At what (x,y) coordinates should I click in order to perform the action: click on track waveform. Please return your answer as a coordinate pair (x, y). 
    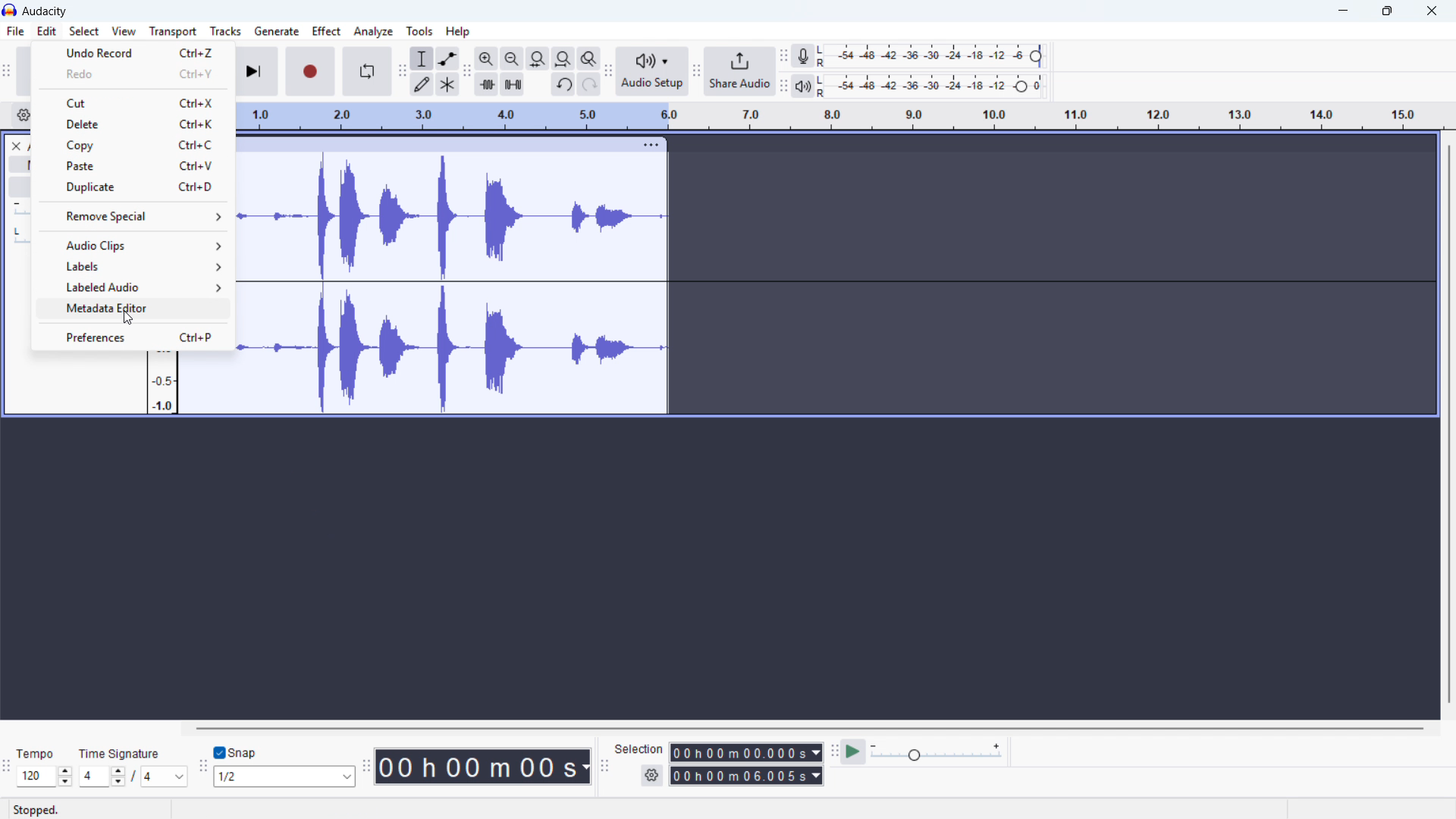
    Looking at the image, I should click on (457, 283).